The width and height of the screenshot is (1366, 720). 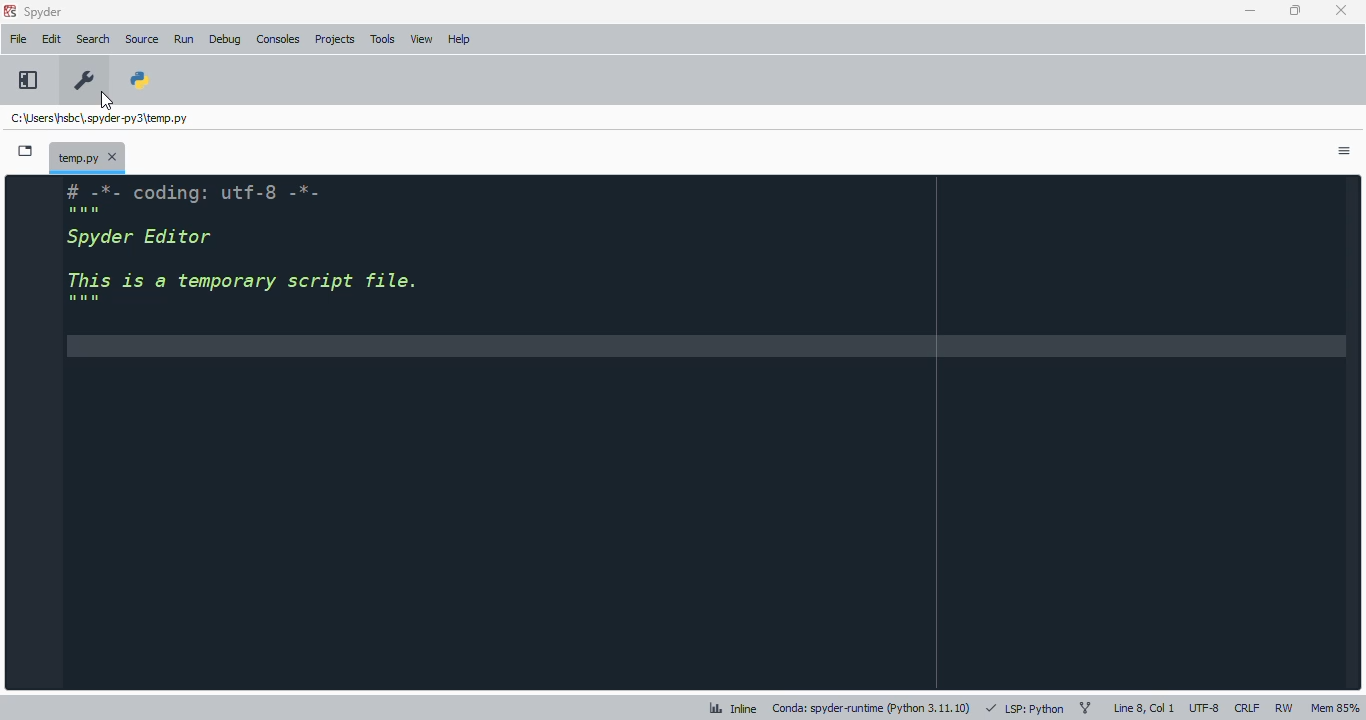 I want to click on UTF-8, so click(x=1205, y=708).